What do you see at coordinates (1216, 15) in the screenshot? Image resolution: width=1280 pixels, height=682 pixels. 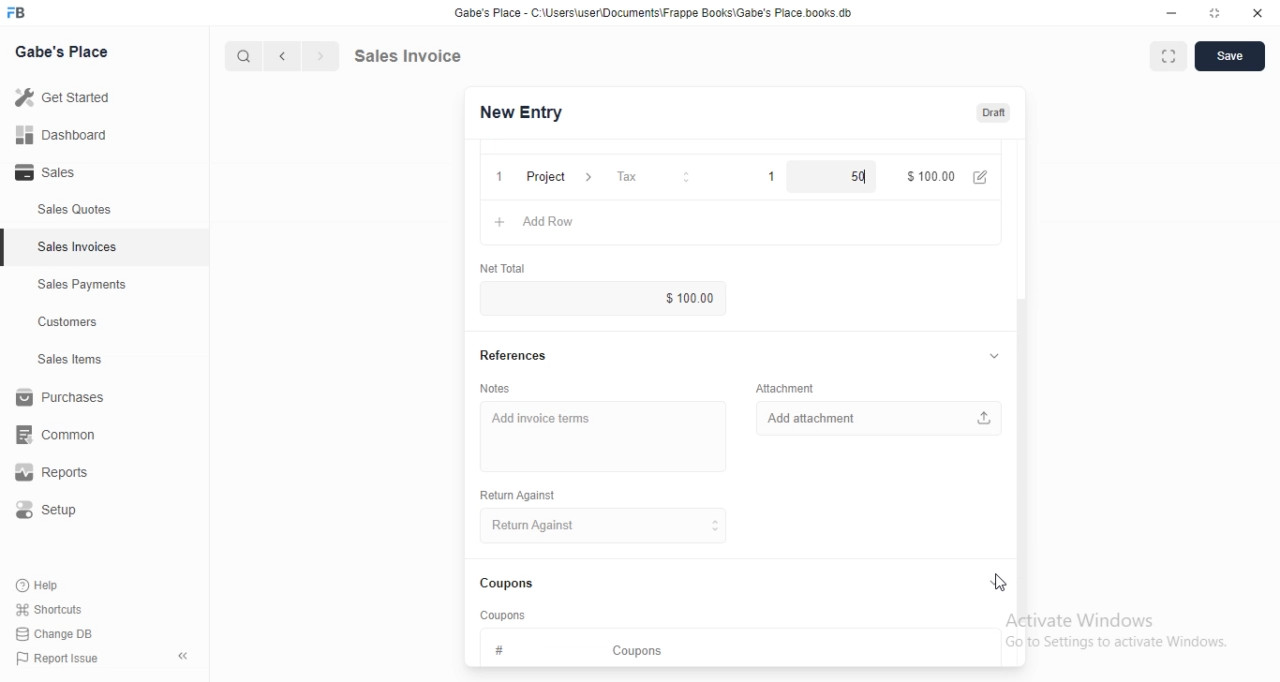 I see `maximize` at bounding box center [1216, 15].